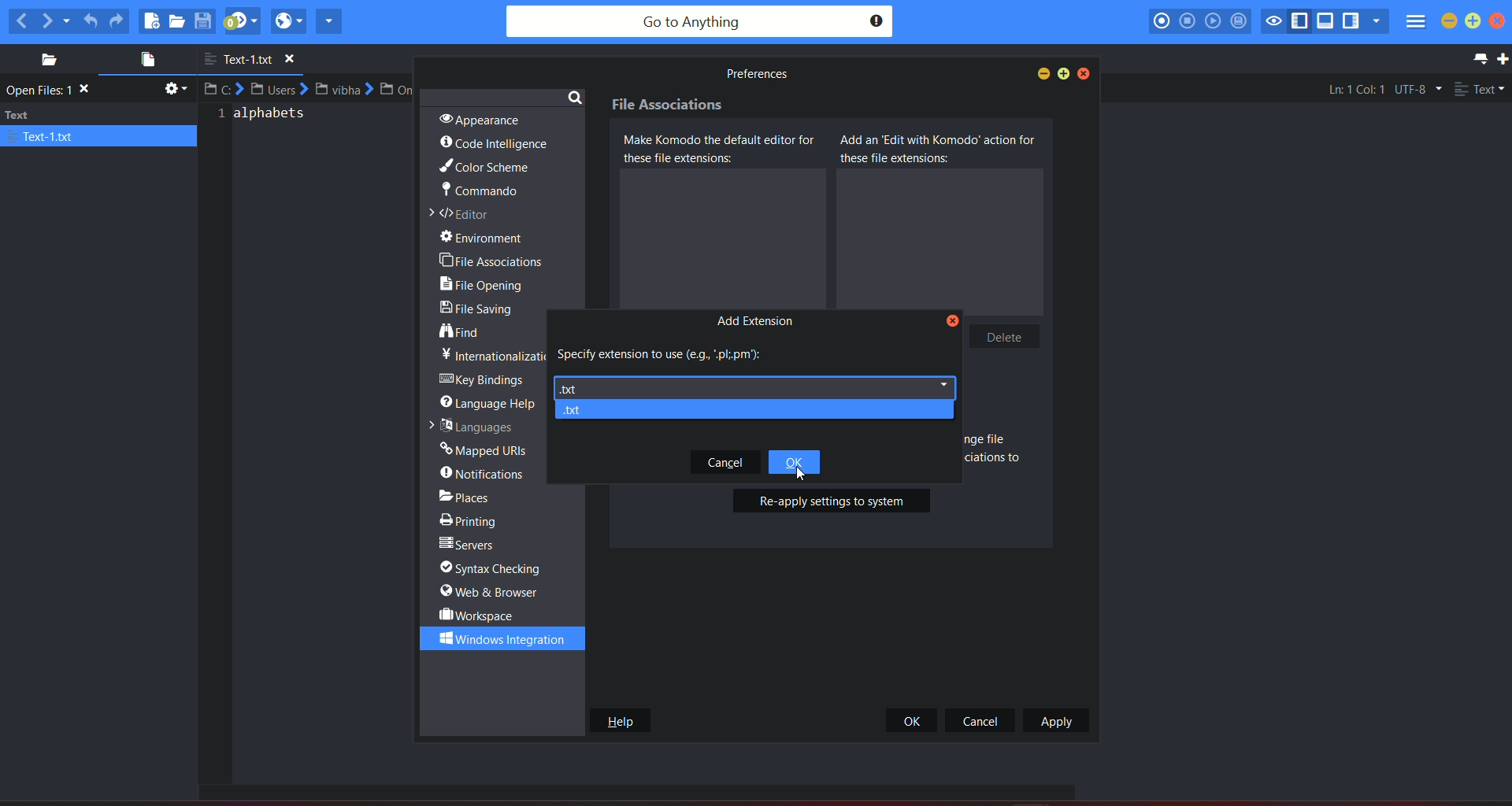 Image resolution: width=1512 pixels, height=806 pixels. I want to click on play last macro, so click(1214, 21).